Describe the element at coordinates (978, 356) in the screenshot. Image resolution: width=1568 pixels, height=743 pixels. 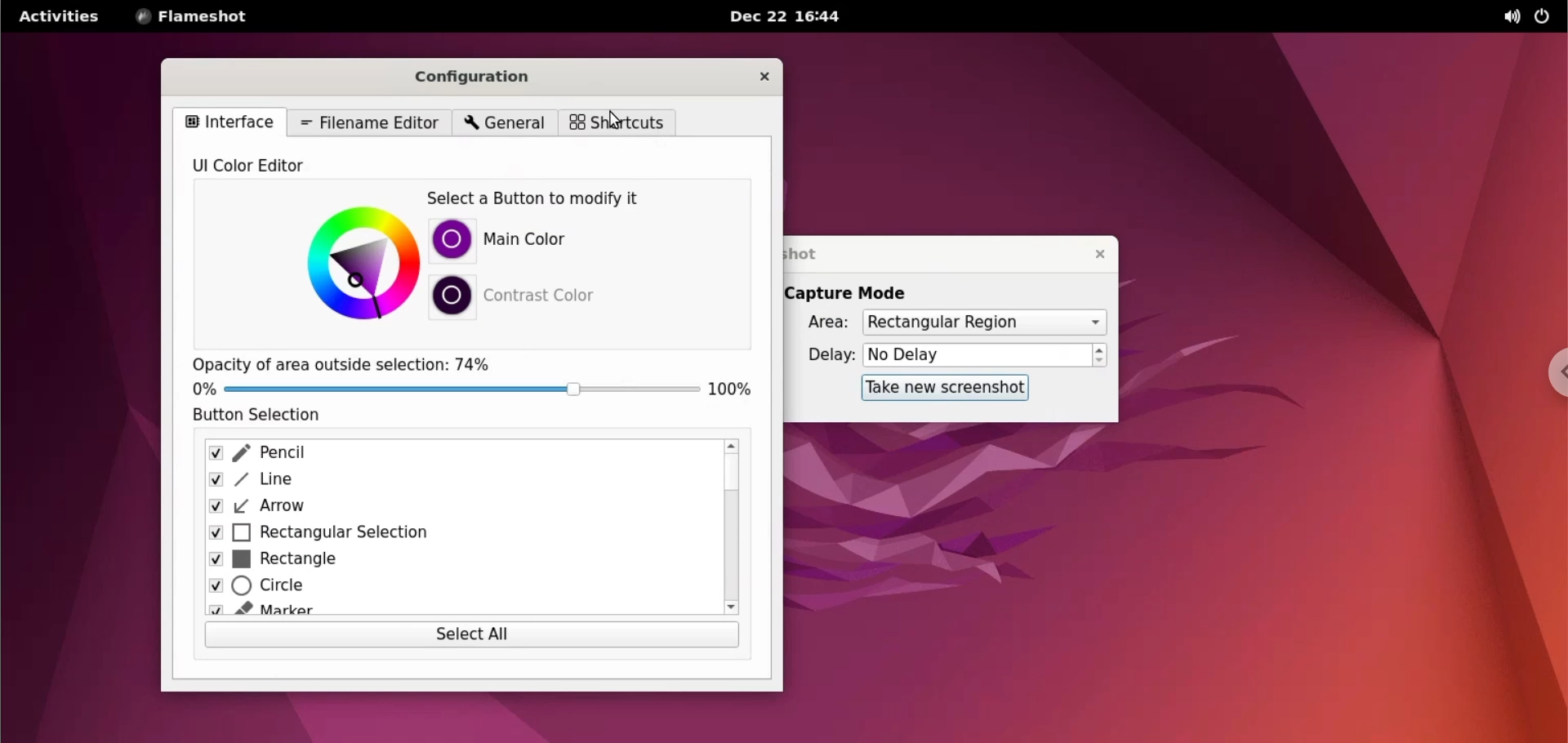
I see `delay time input box` at that location.